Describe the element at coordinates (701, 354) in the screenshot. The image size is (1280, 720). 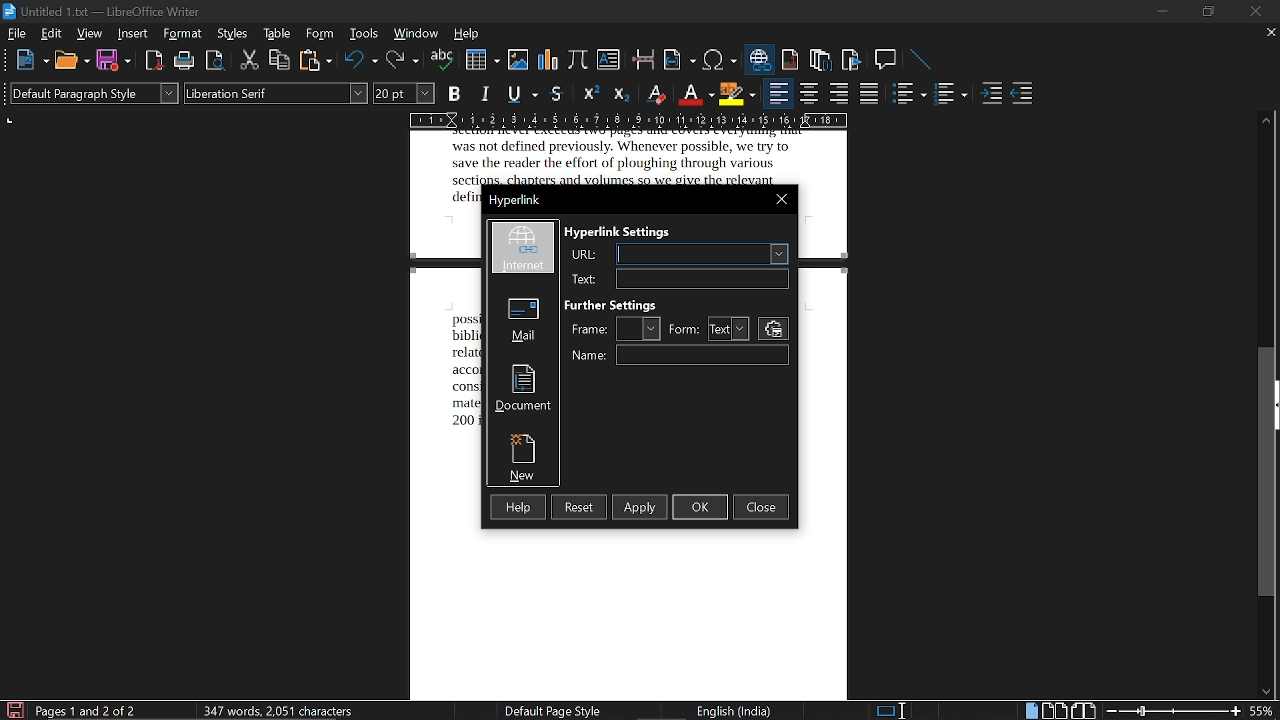
I see `name` at that location.